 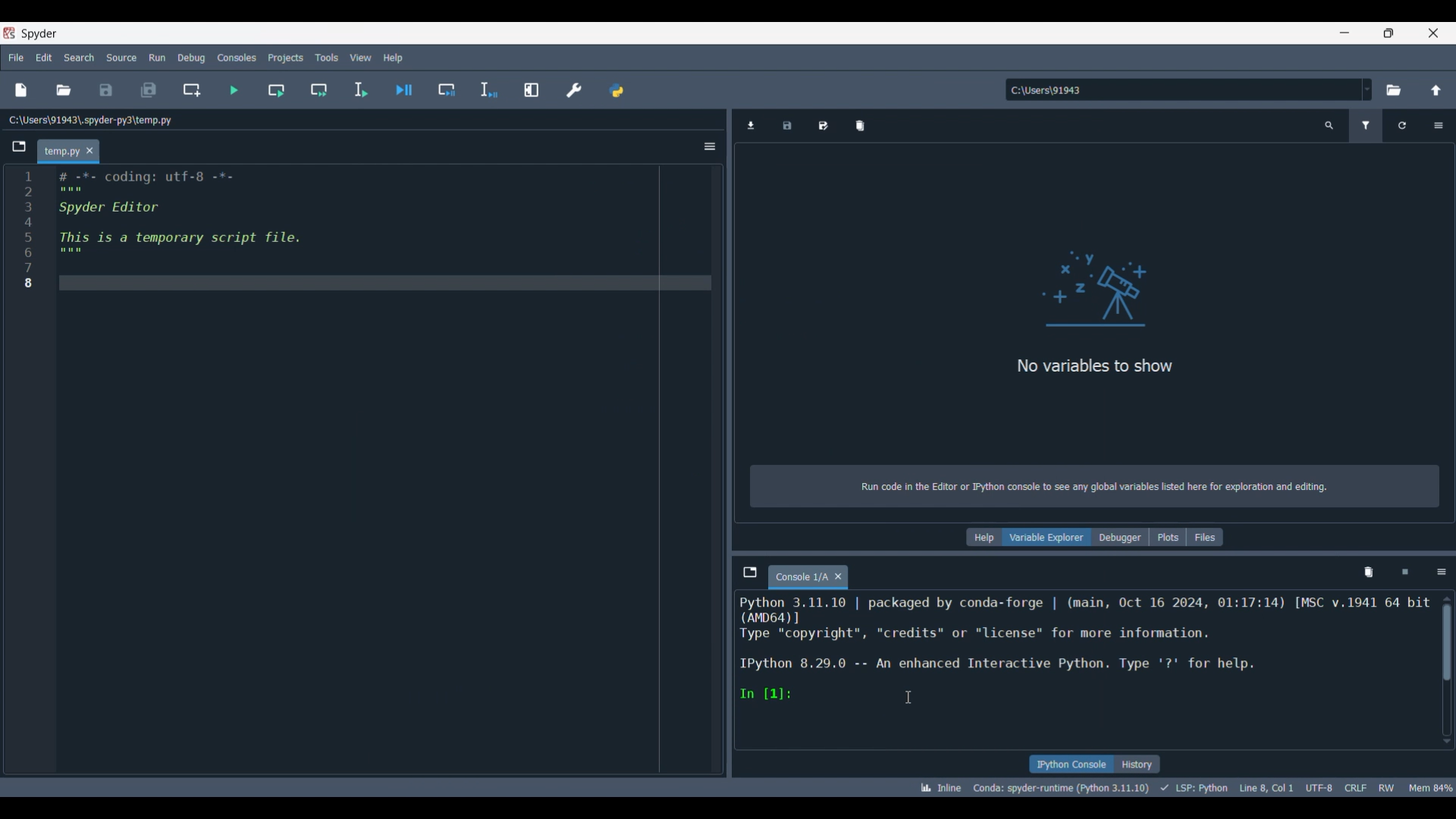 What do you see at coordinates (79, 58) in the screenshot?
I see `Search menu` at bounding box center [79, 58].